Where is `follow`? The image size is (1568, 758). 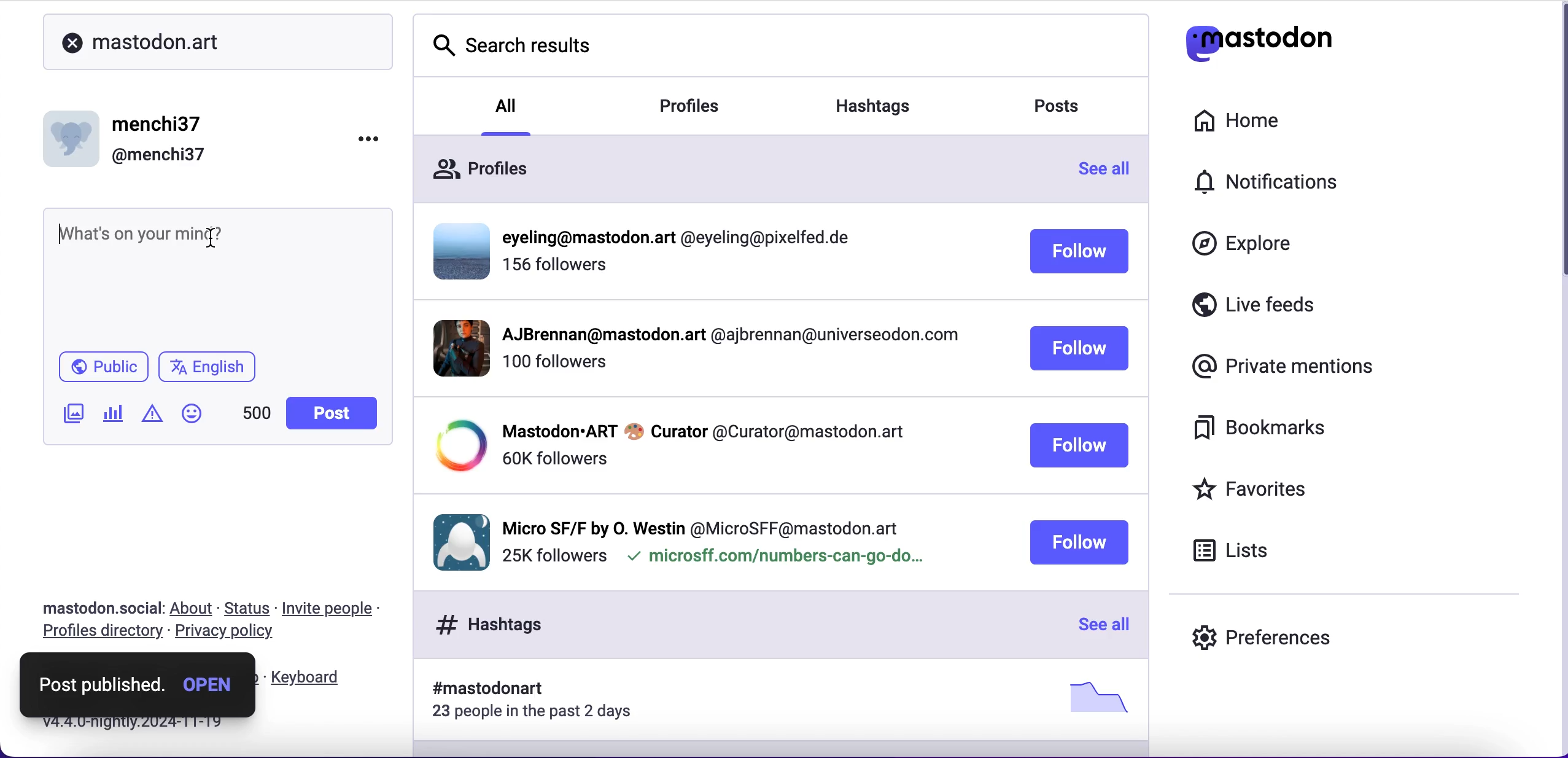 follow is located at coordinates (1079, 446).